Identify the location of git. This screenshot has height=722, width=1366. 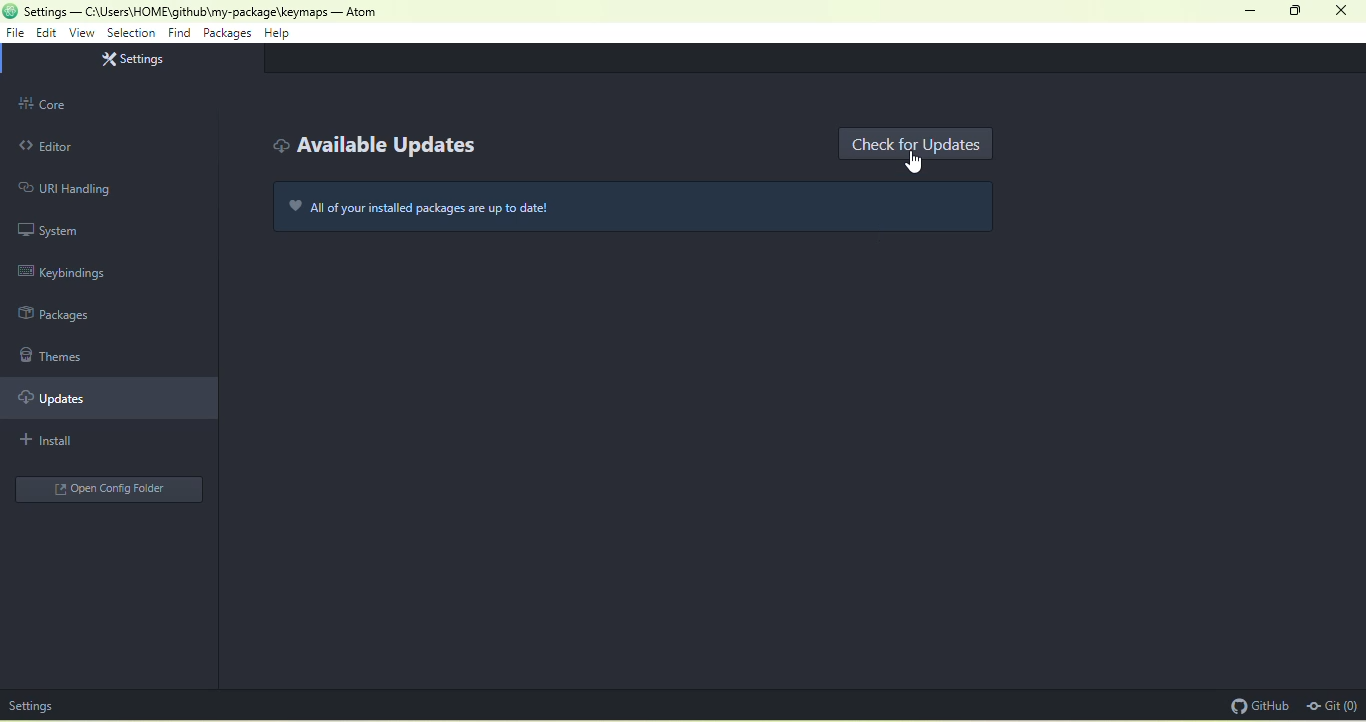
(1332, 707).